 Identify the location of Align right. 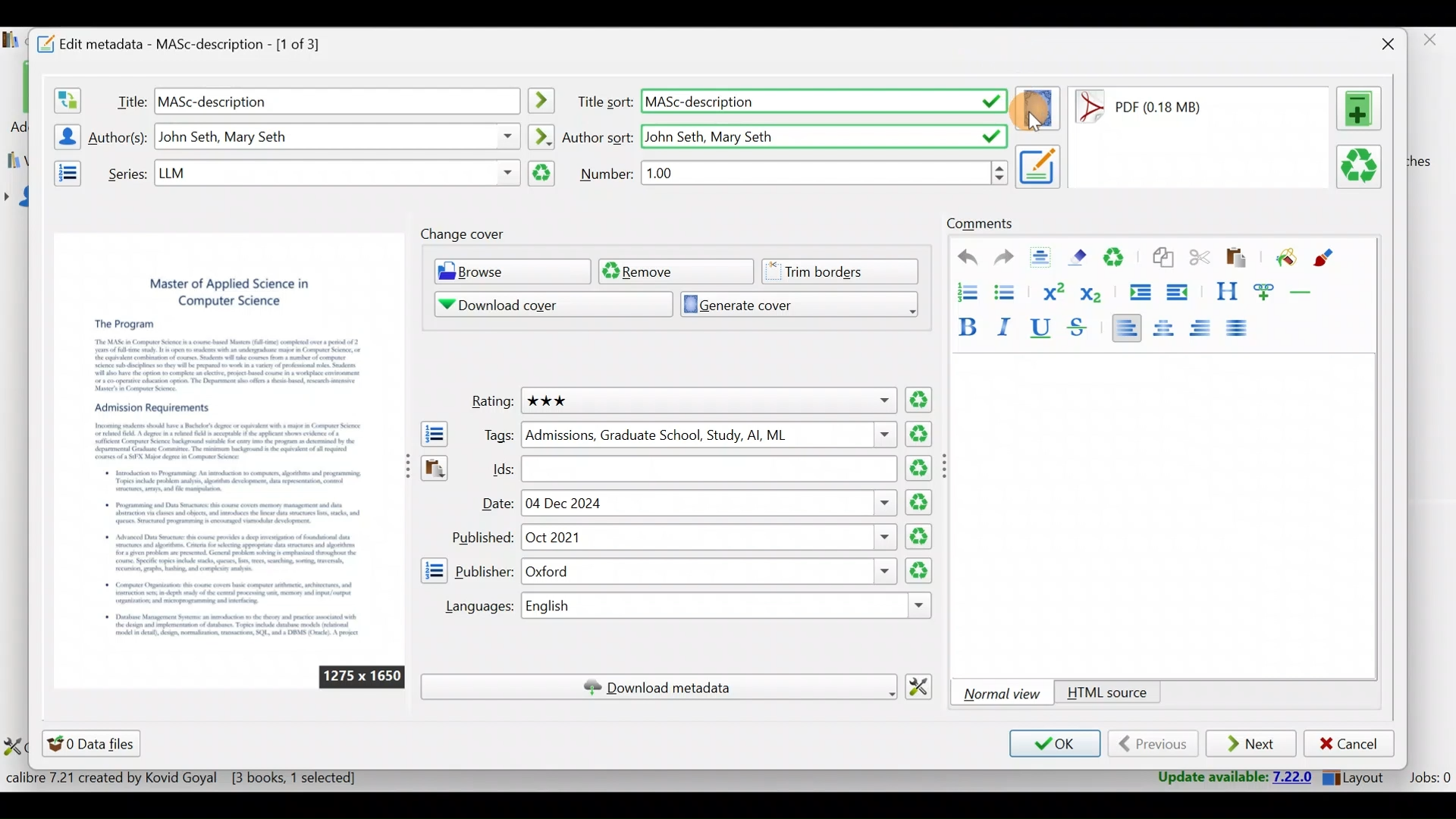
(1205, 328).